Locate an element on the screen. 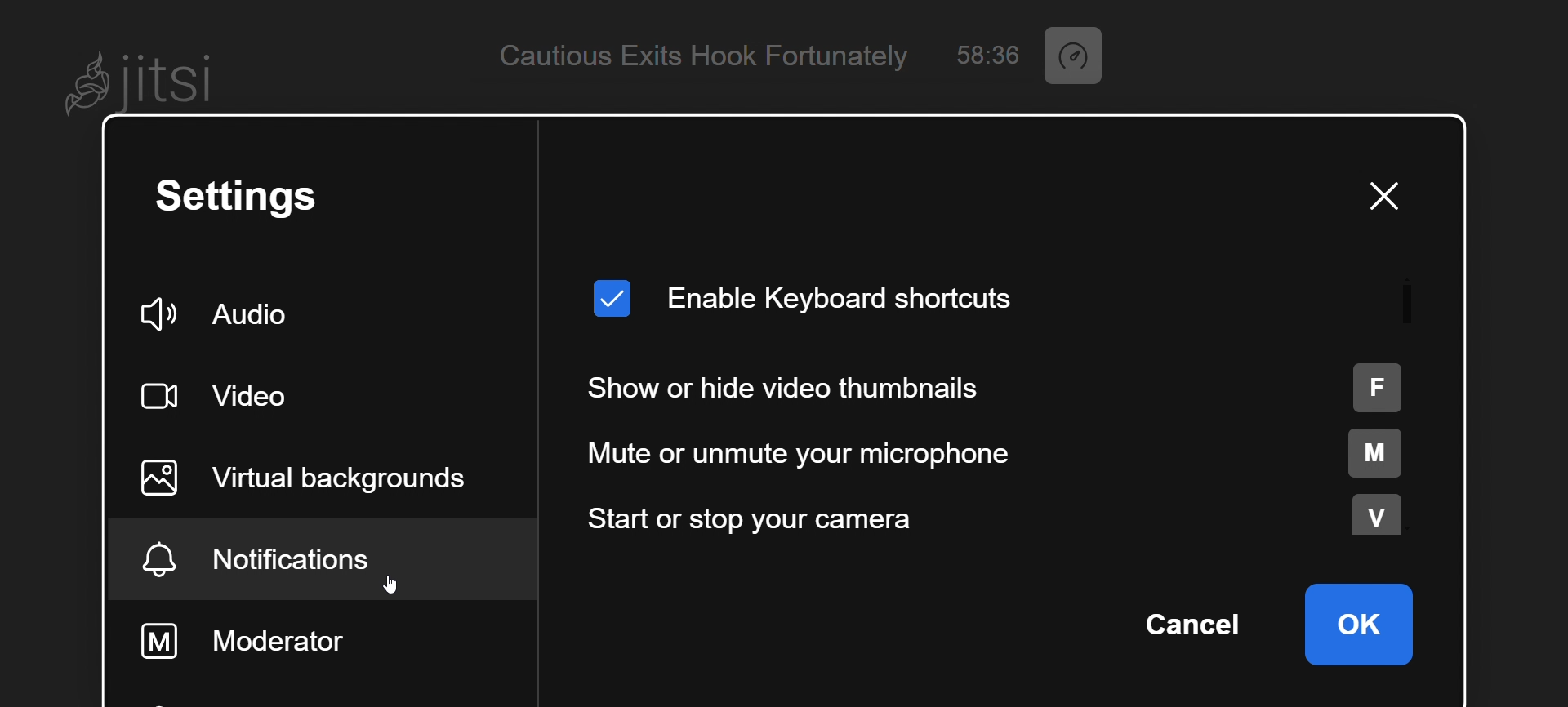 The image size is (1568, 707). moderator is located at coordinates (270, 642).